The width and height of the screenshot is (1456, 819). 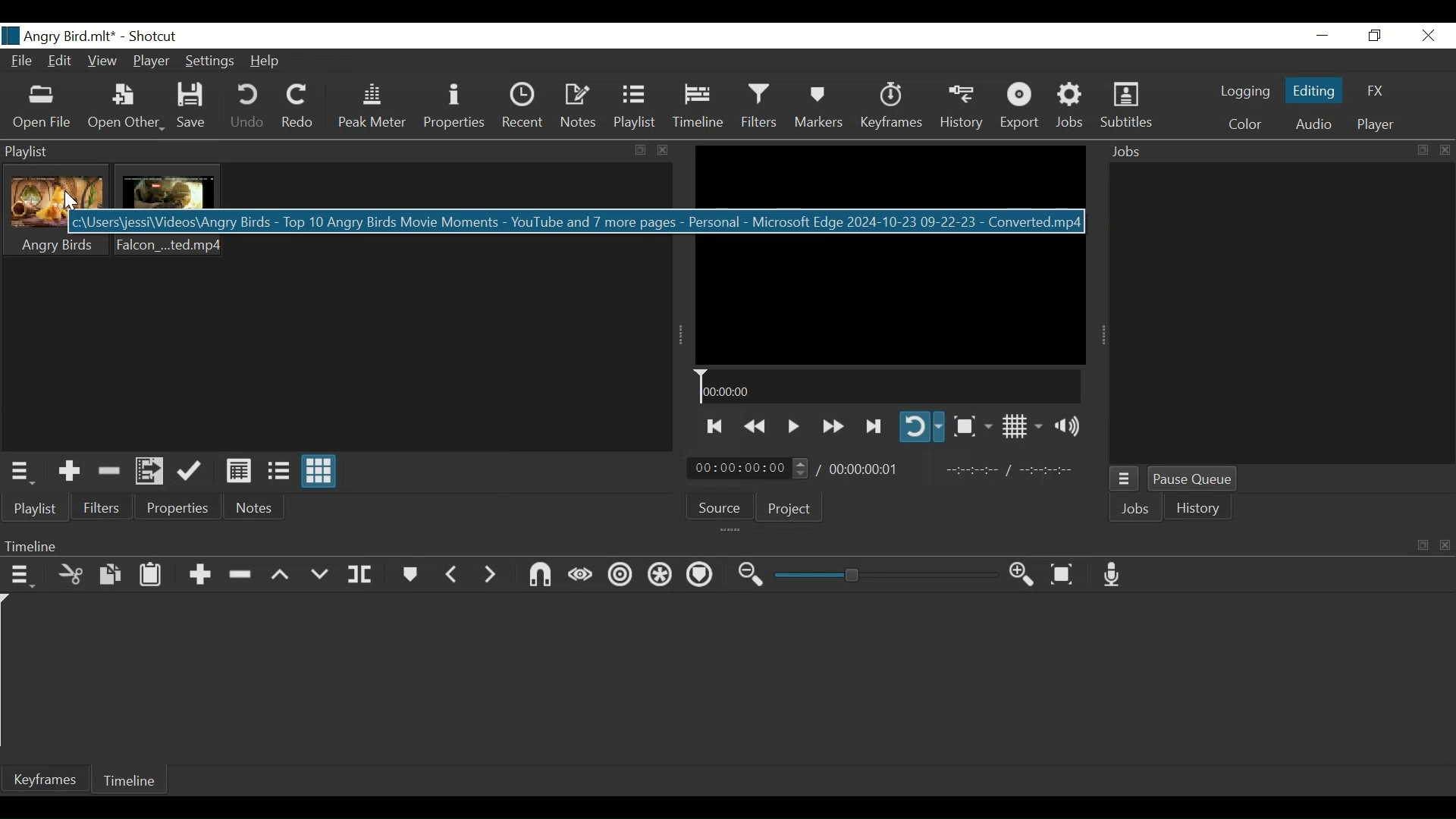 I want to click on Jobs Panel, so click(x=1281, y=313).